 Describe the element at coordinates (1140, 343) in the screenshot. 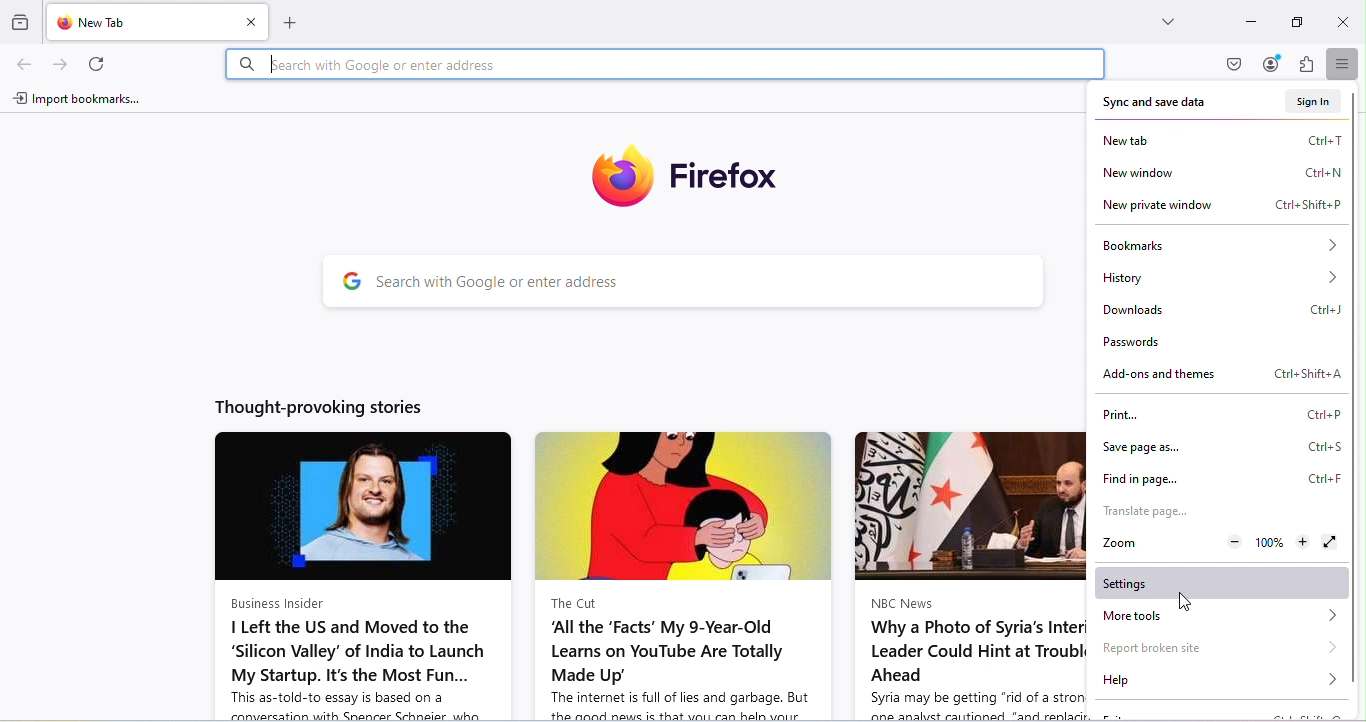

I see `Passwords` at that location.